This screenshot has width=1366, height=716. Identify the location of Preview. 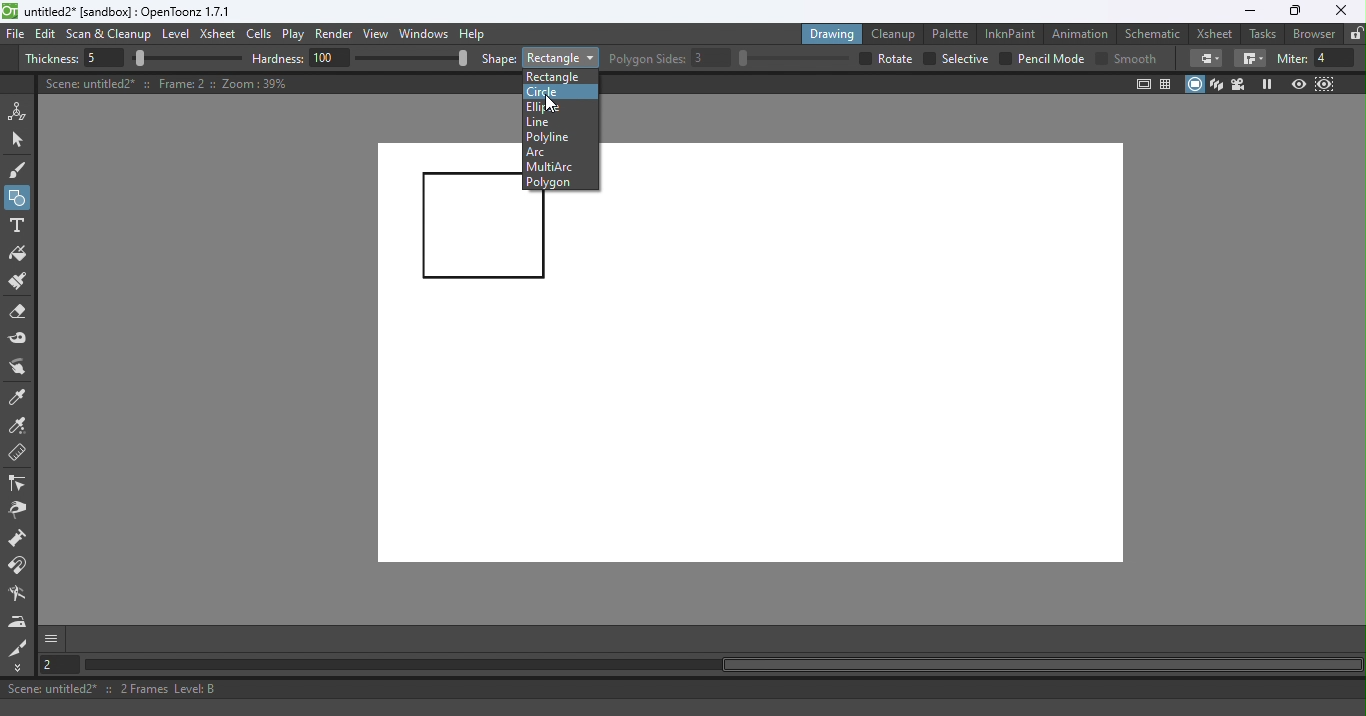
(1298, 85).